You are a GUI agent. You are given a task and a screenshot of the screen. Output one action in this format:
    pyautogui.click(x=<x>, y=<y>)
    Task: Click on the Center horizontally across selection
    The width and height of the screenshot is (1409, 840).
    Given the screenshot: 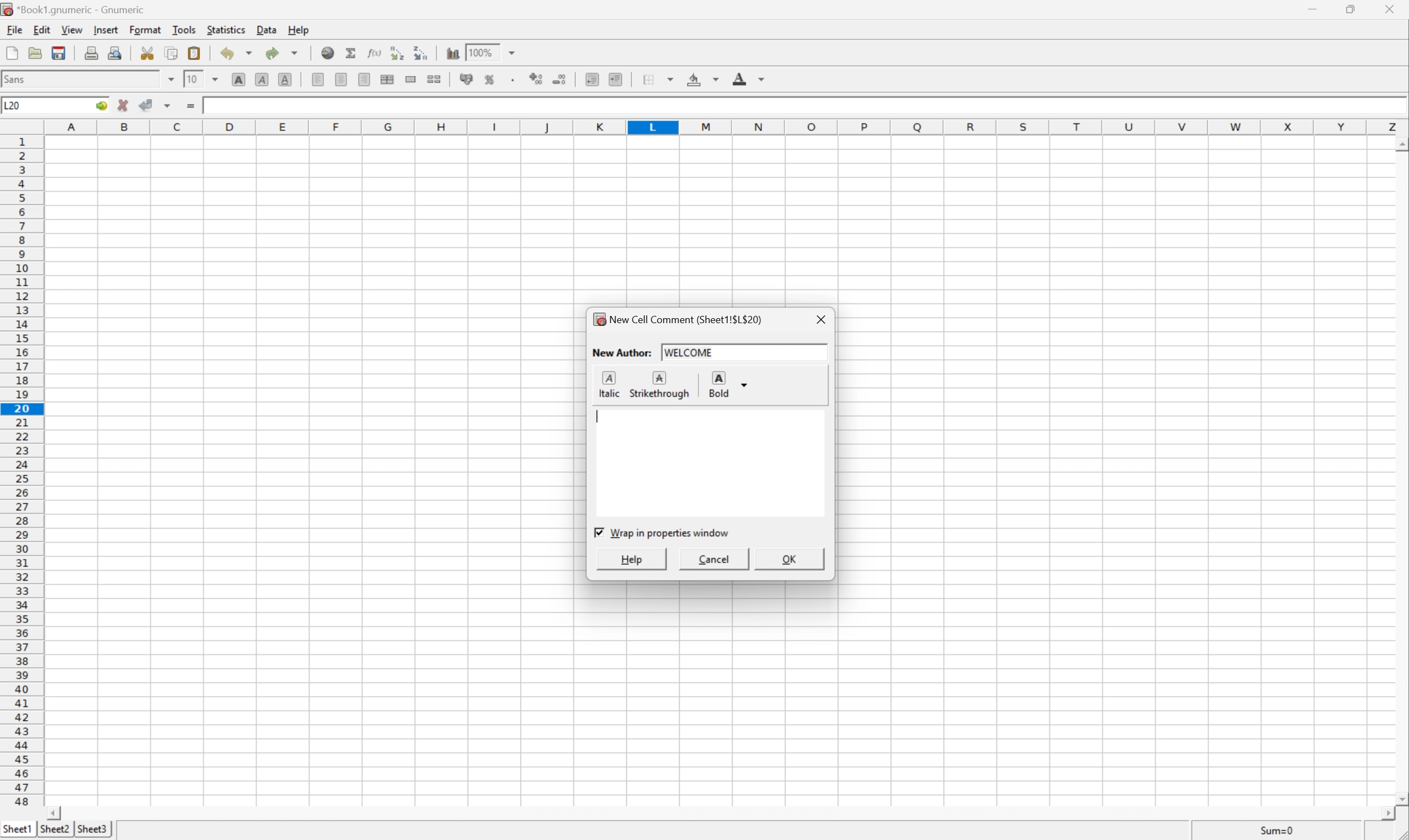 What is the action you would take?
    pyautogui.click(x=387, y=79)
    